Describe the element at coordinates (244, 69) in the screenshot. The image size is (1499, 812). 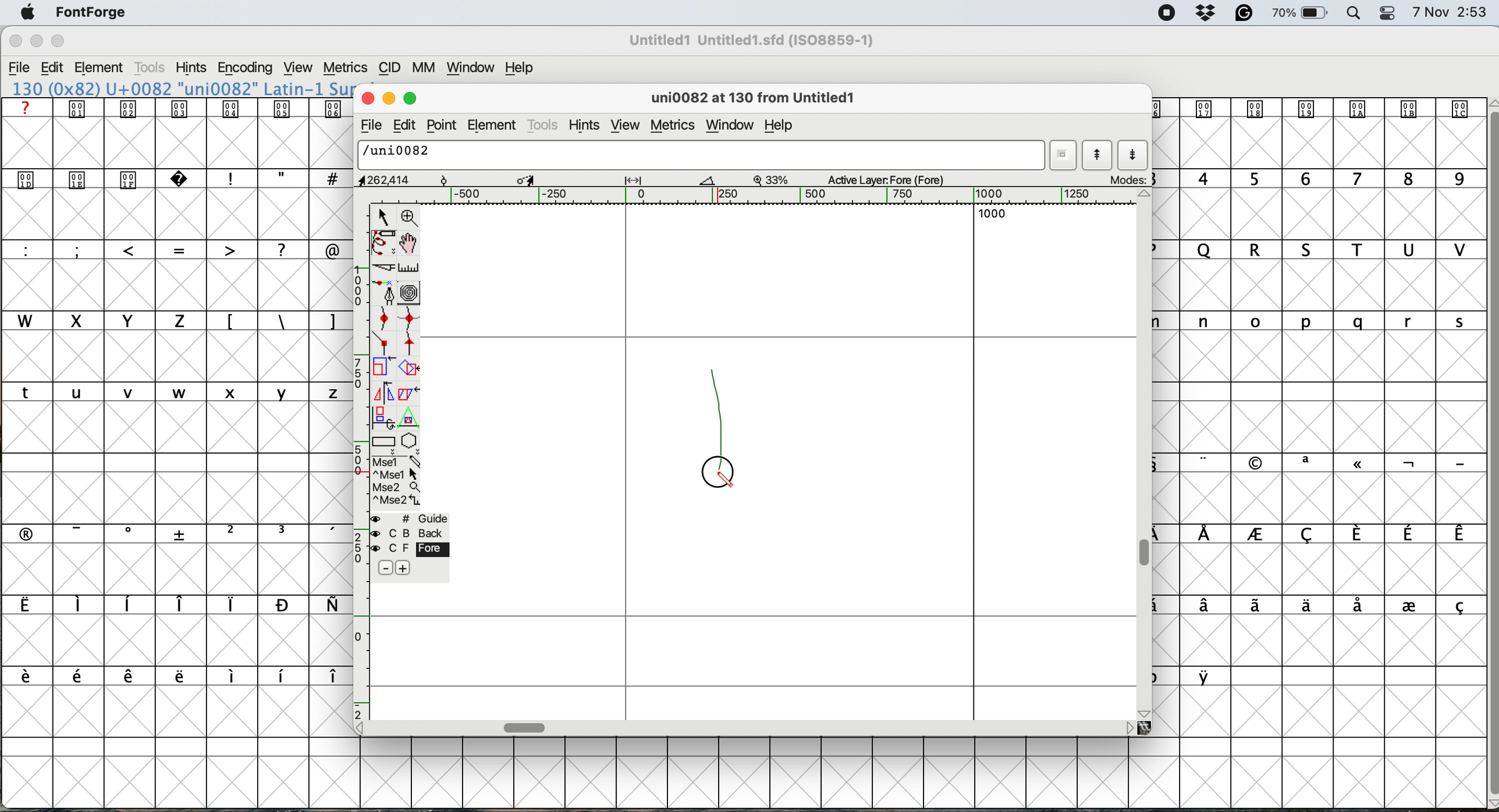
I see `encoding` at that location.